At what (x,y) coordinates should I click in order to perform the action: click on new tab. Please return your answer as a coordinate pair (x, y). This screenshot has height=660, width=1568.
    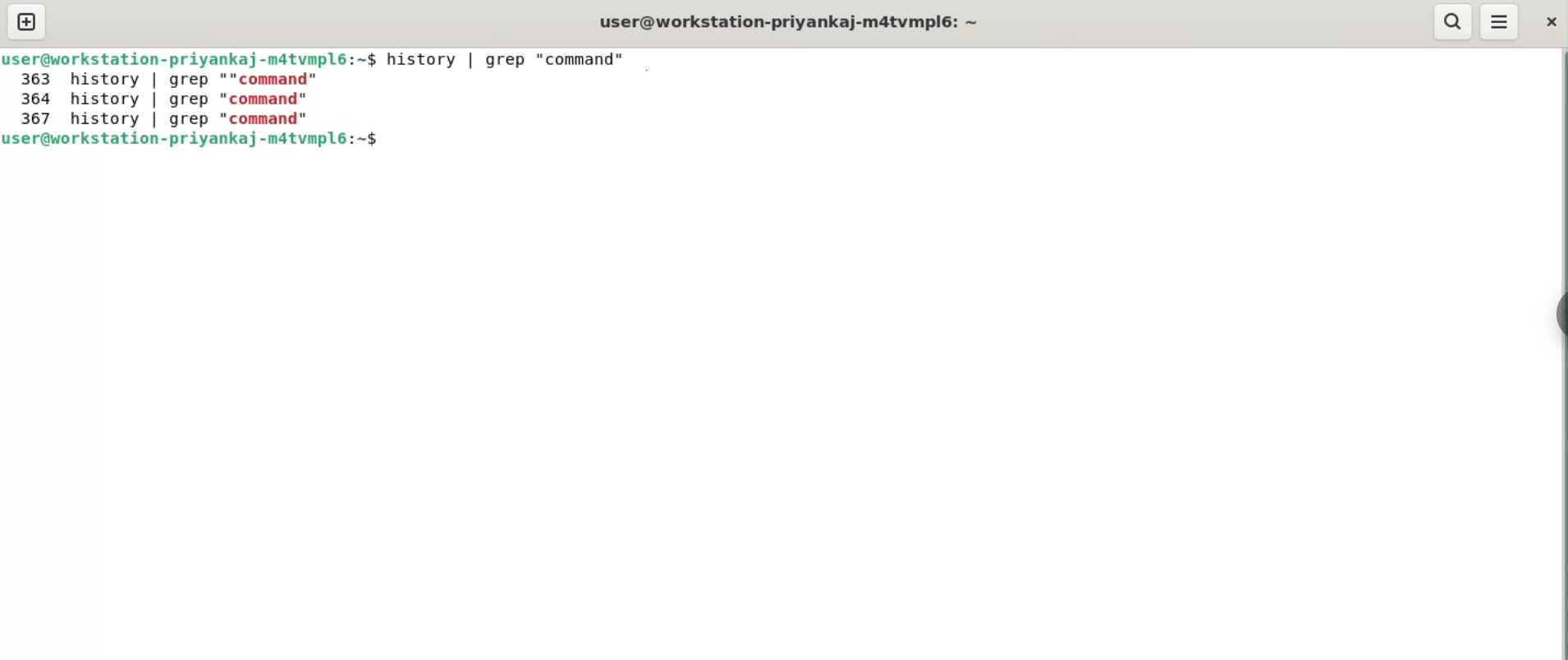
    Looking at the image, I should click on (24, 20).